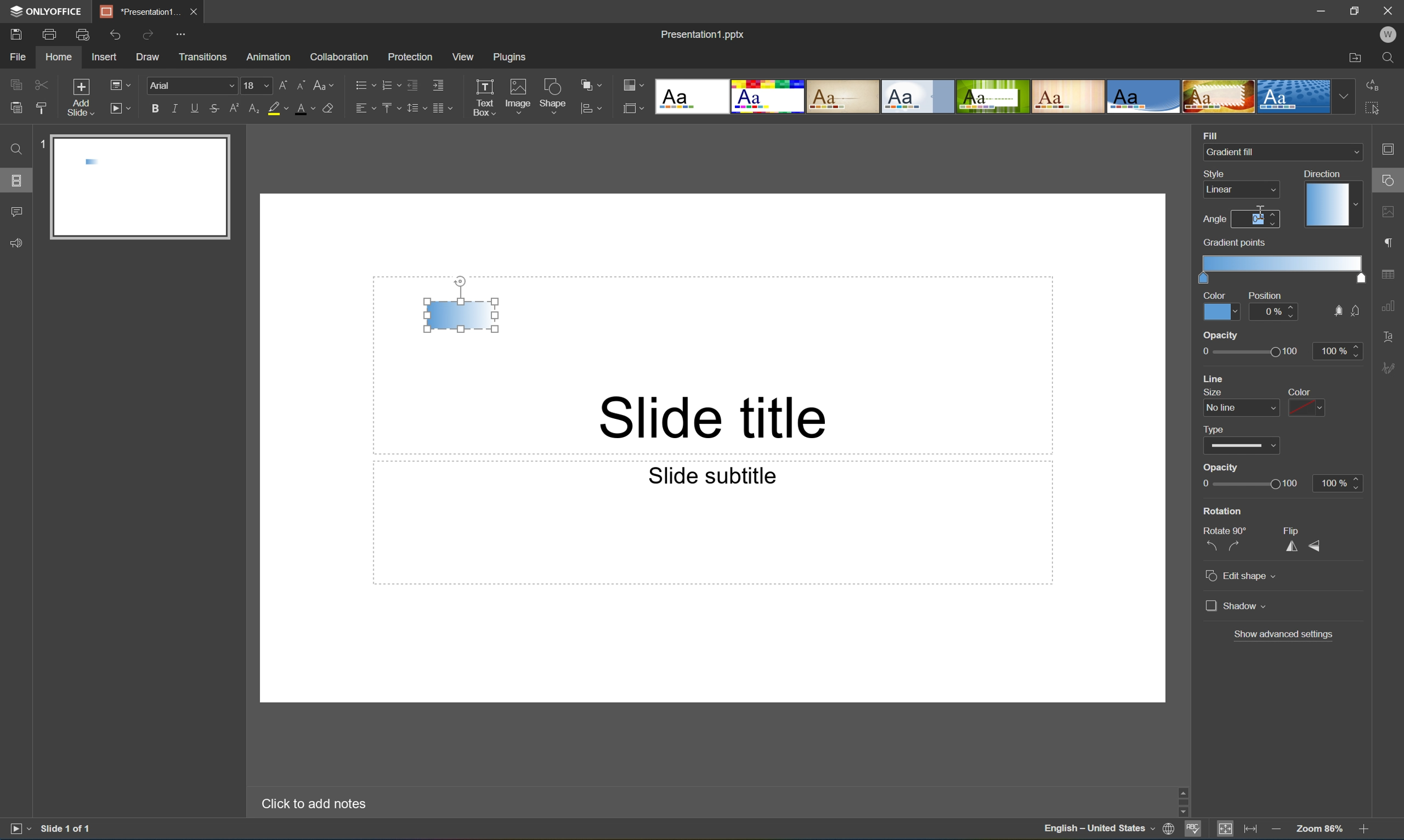 The image size is (1404, 840). Describe the element at coordinates (1215, 294) in the screenshot. I see `Color` at that location.